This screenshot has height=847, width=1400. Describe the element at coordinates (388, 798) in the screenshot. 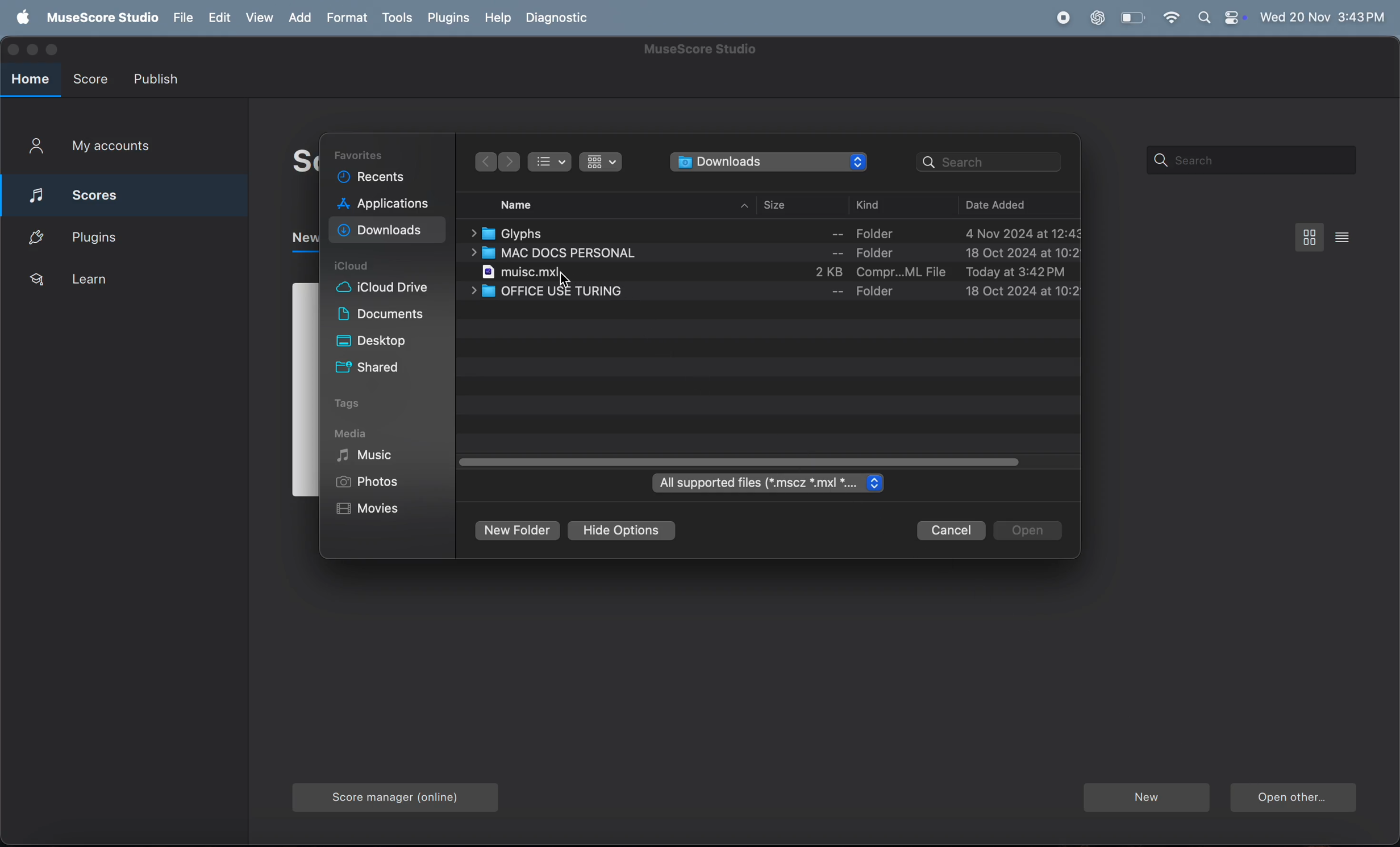

I see `score manager online` at that location.